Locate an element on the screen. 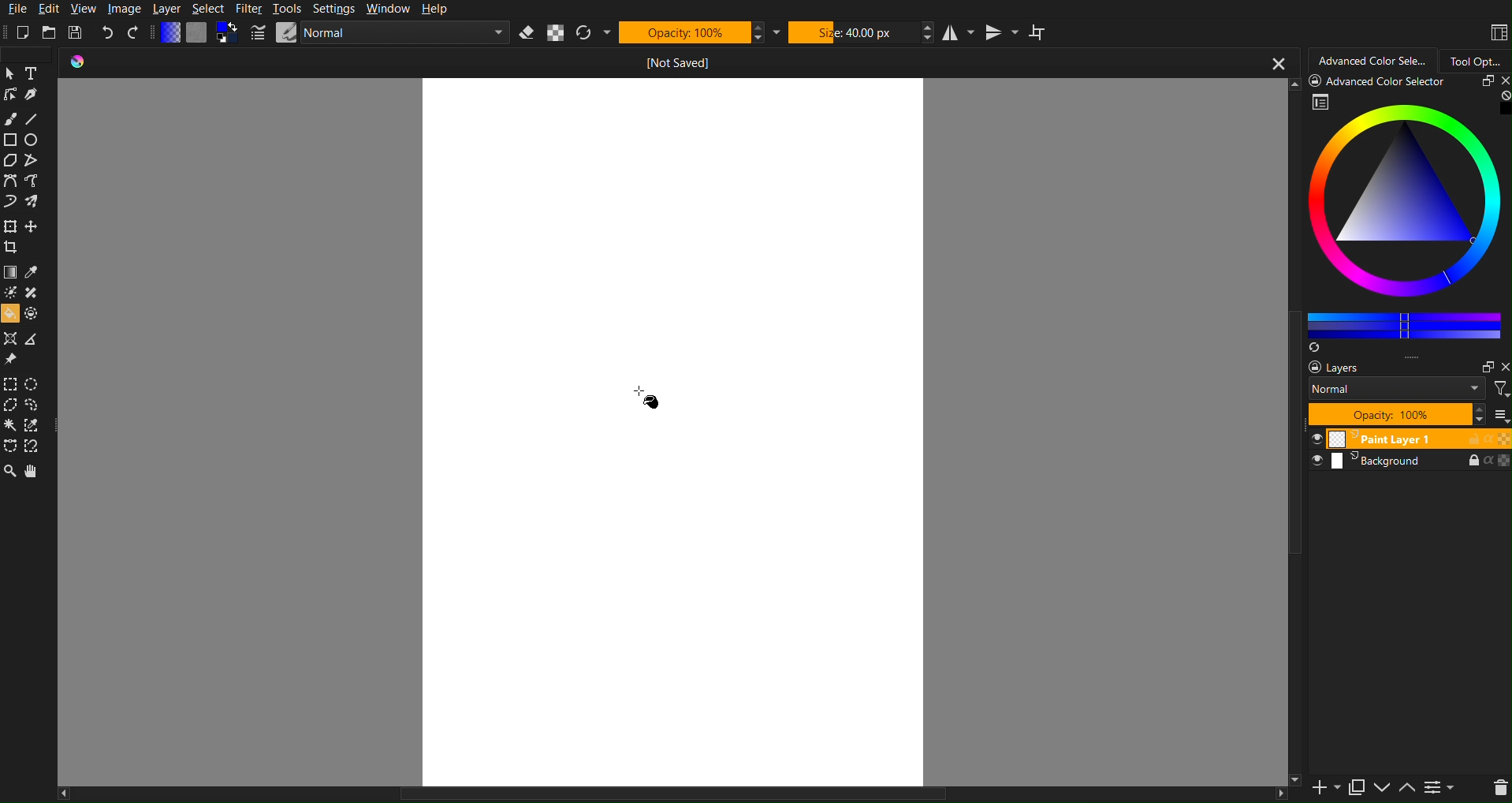 The image size is (1512, 803).  is located at coordinates (1382, 80).